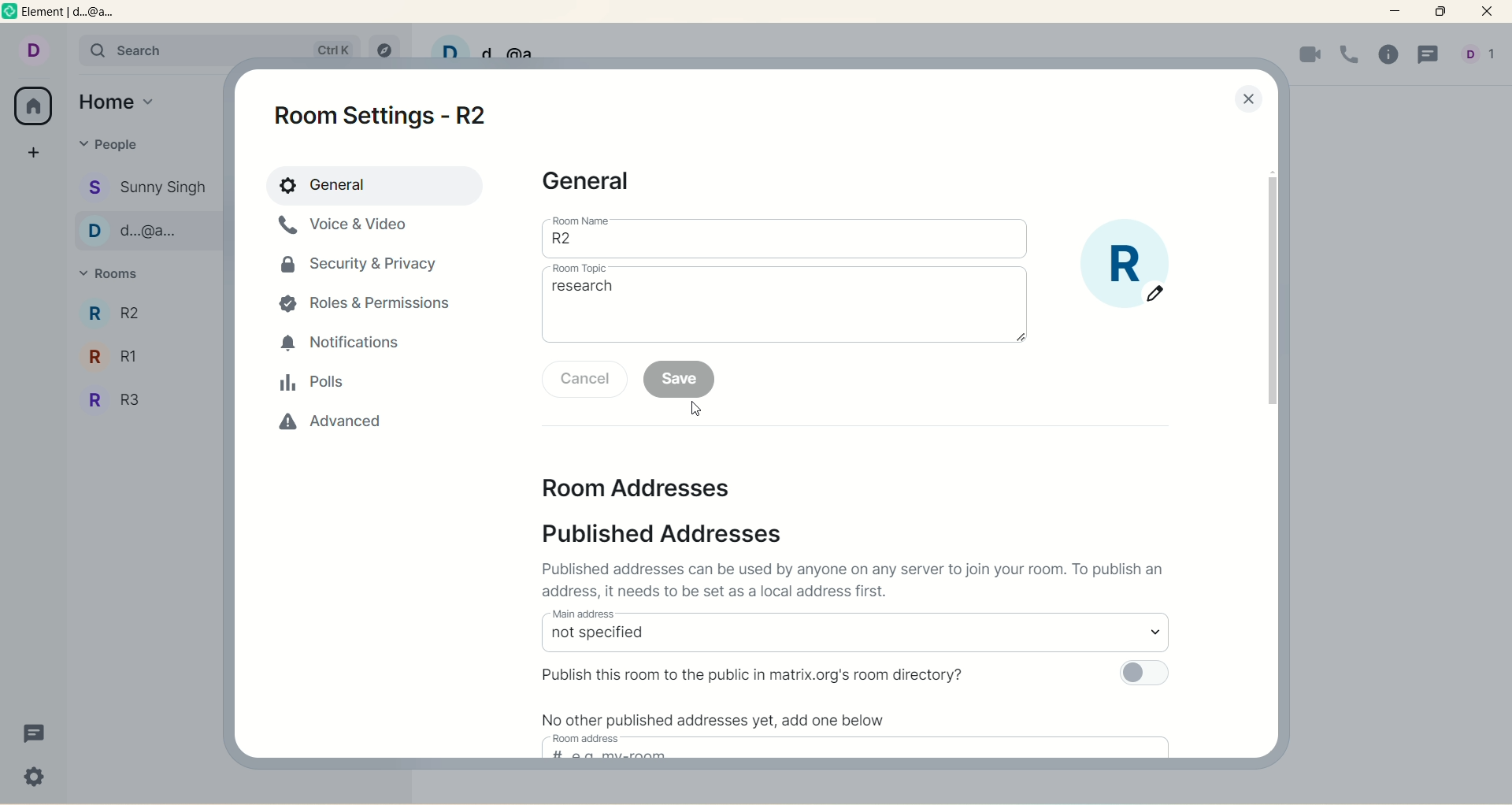  Describe the element at coordinates (372, 185) in the screenshot. I see `general` at that location.